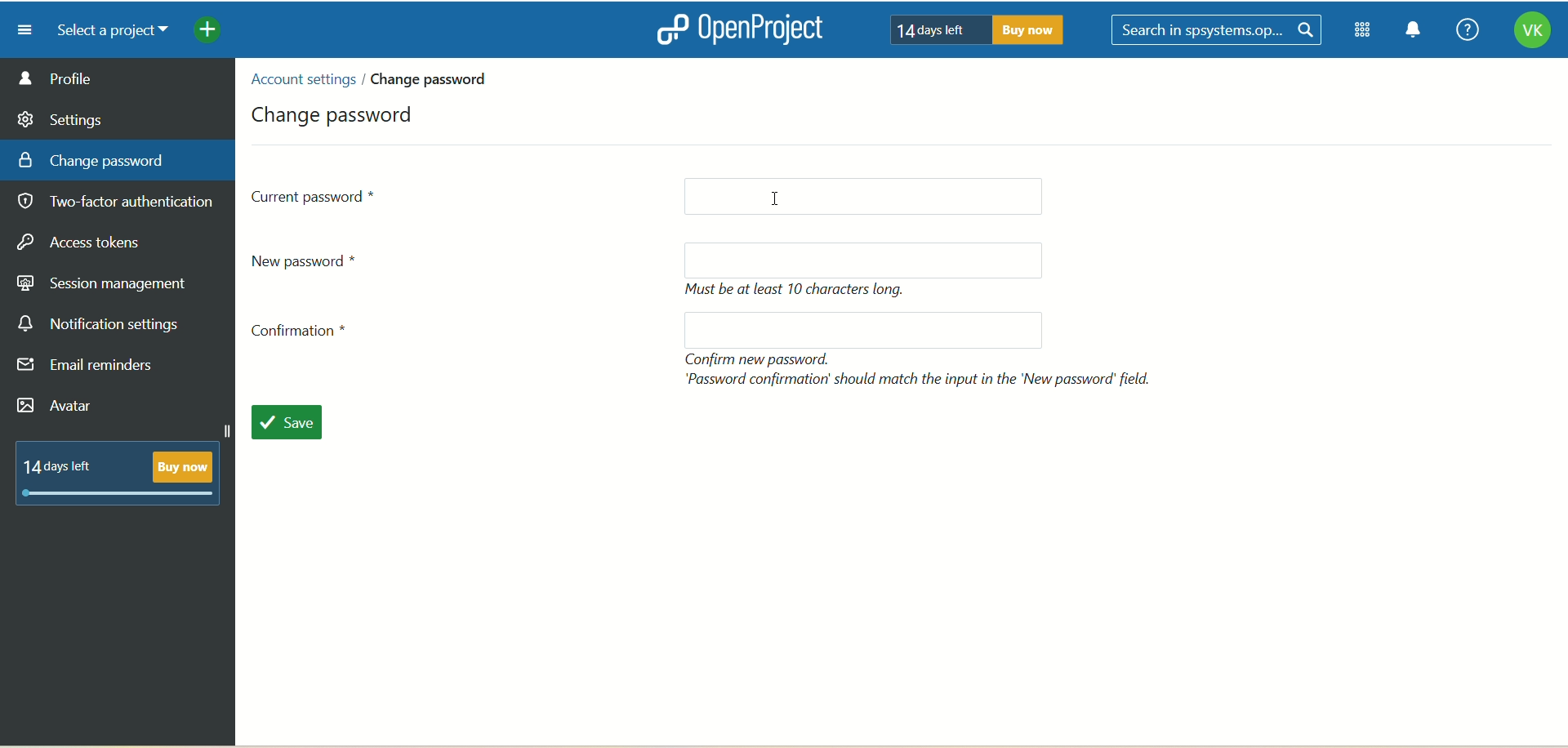  I want to click on notification, so click(1414, 32).